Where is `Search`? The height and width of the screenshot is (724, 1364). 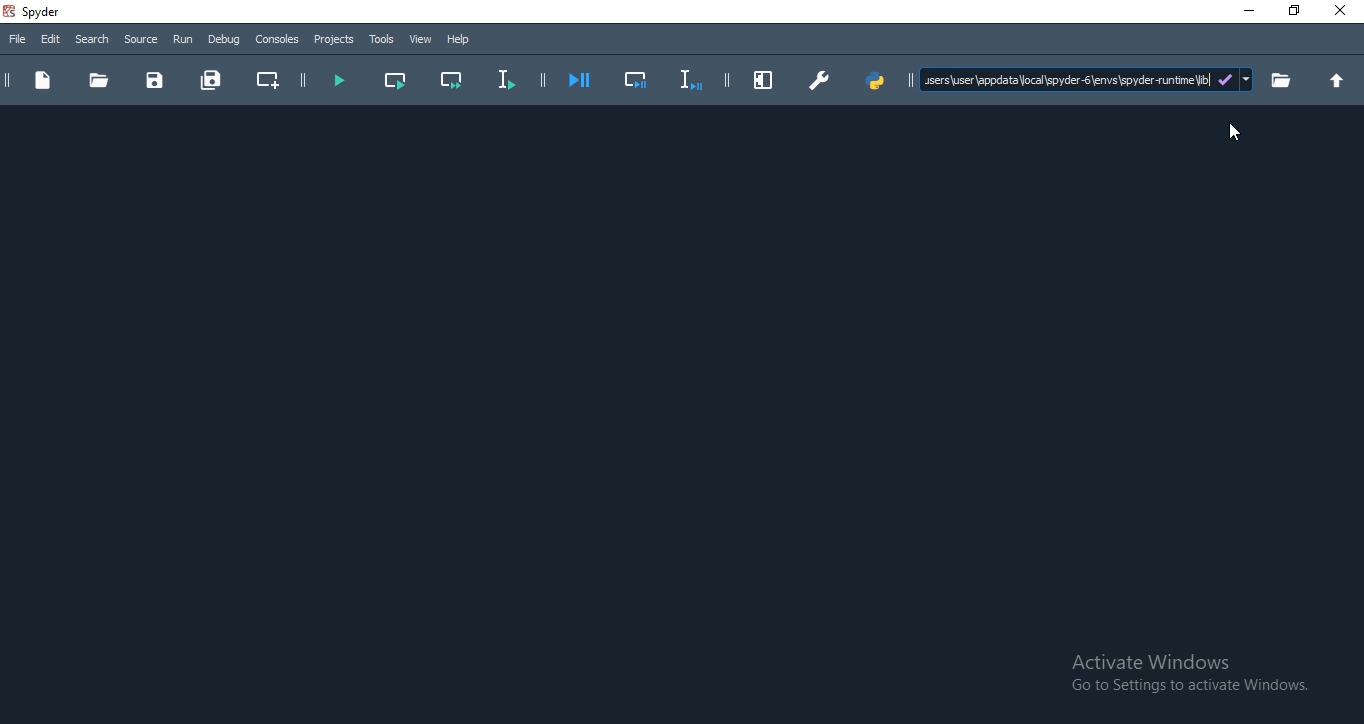
Search is located at coordinates (94, 39).